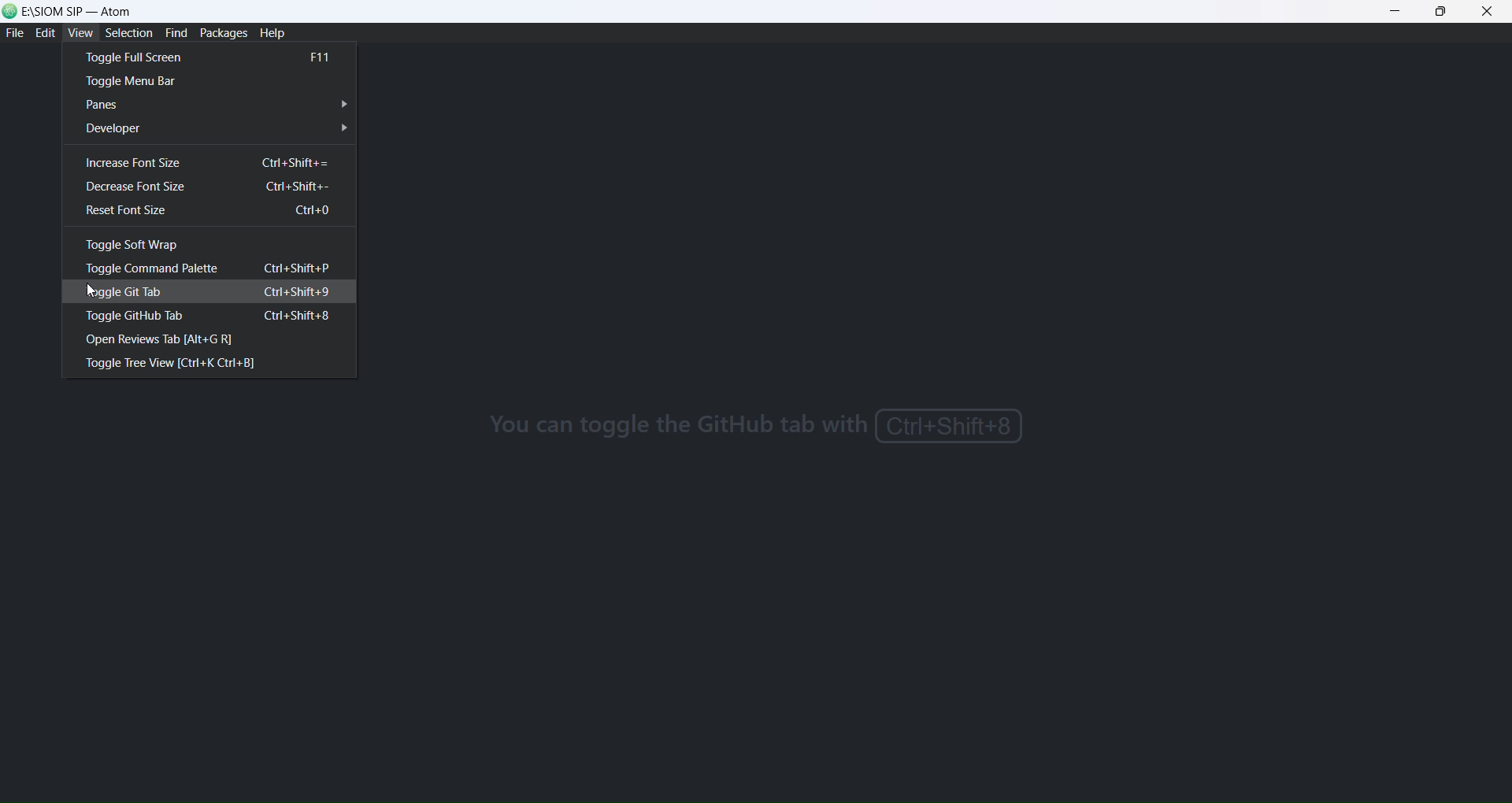  What do you see at coordinates (135, 80) in the screenshot?
I see `toggle menu bar` at bounding box center [135, 80].